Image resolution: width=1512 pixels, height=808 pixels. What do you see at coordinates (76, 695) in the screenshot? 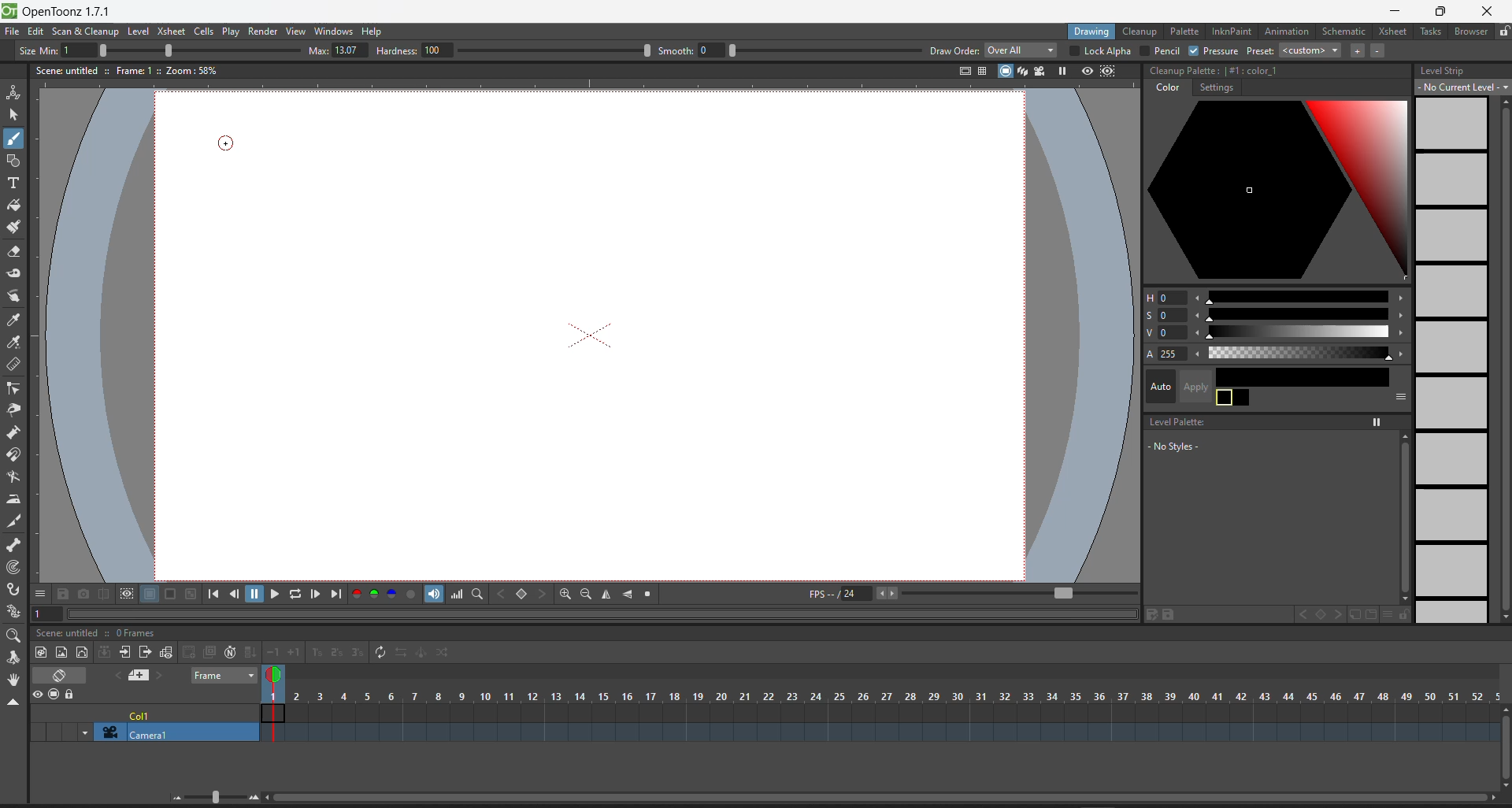
I see `lock toggle all` at bounding box center [76, 695].